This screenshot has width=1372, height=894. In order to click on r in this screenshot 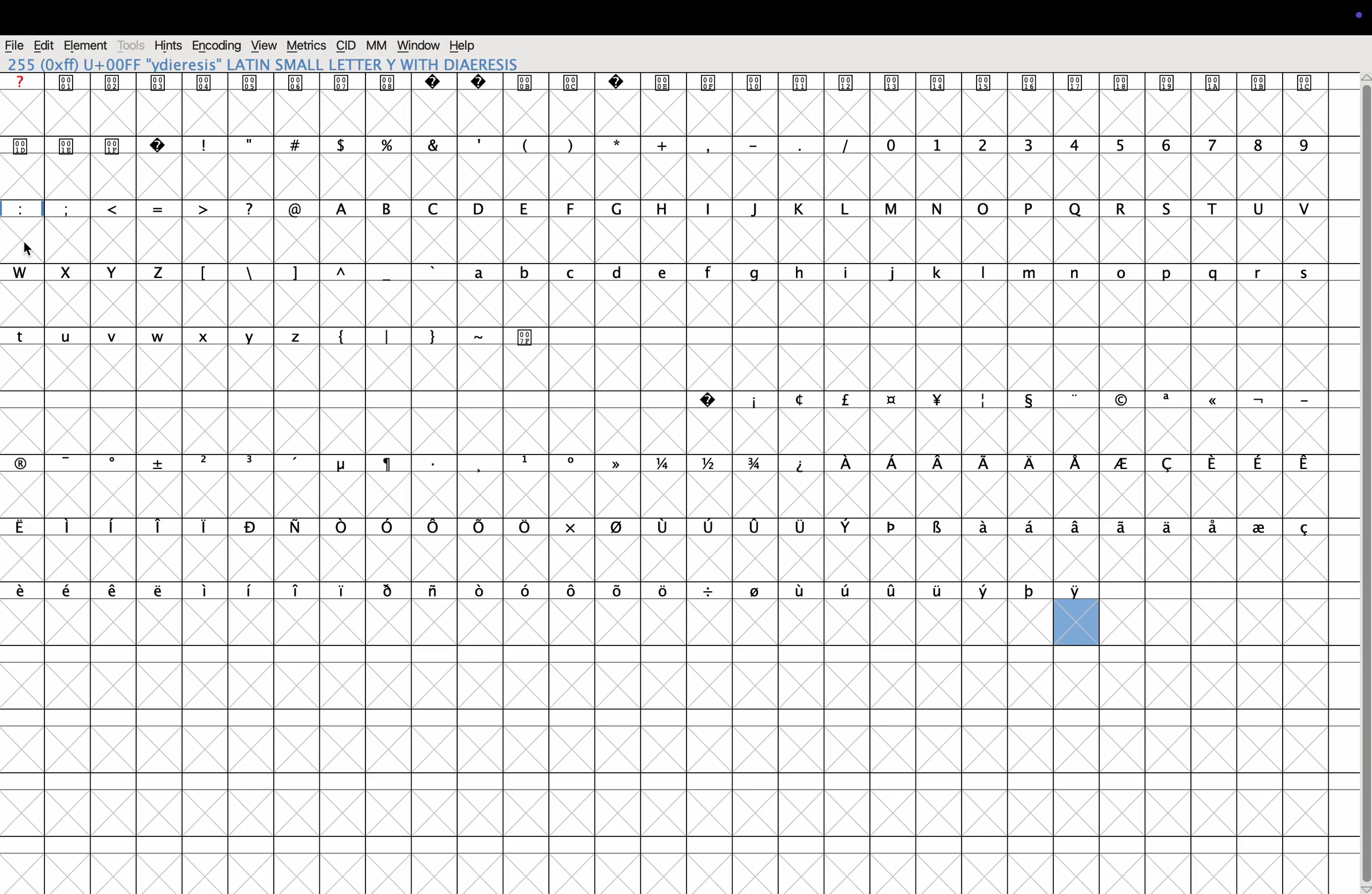, I will do `click(1260, 293)`.